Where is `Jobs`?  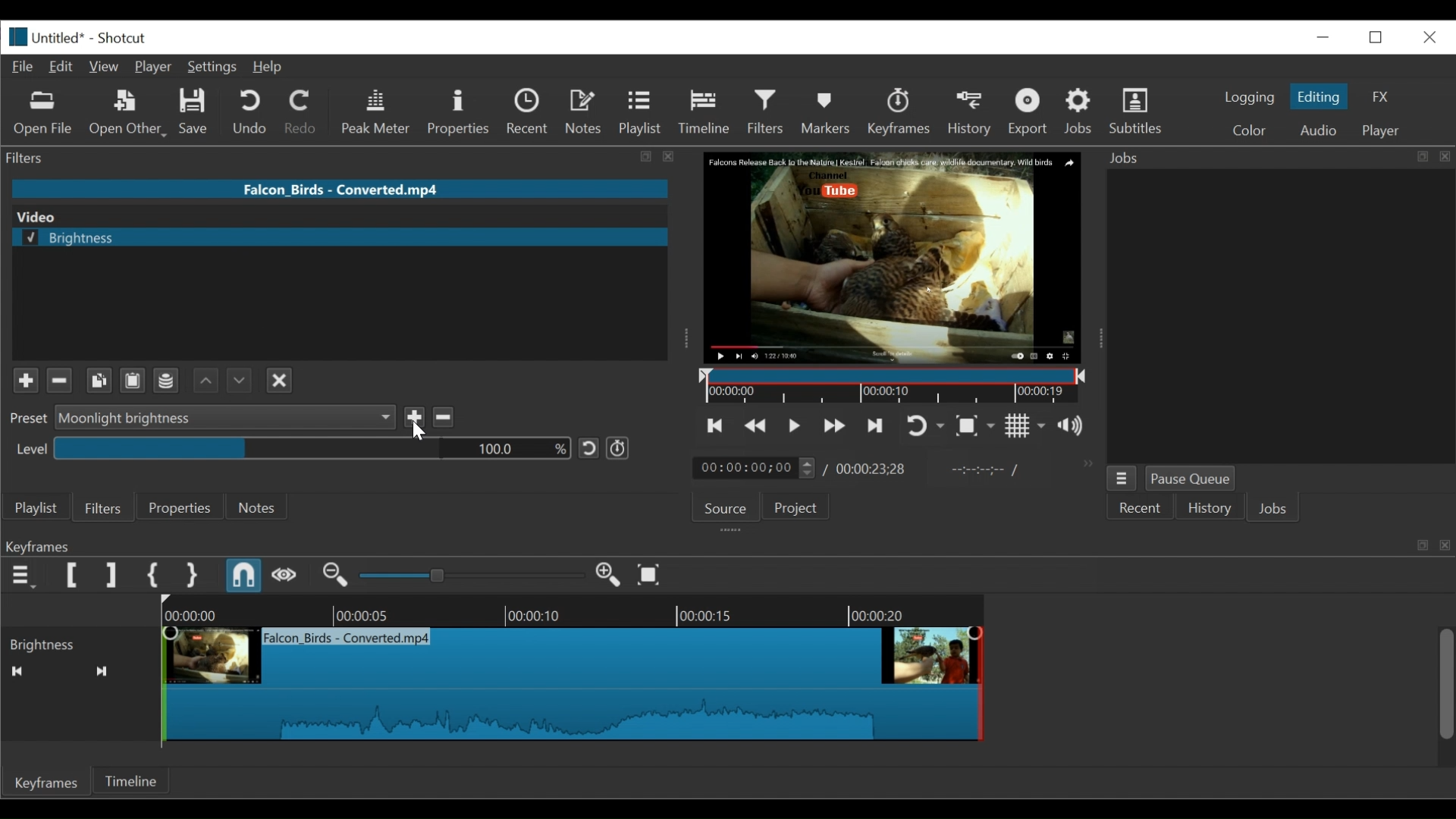
Jobs is located at coordinates (1275, 510).